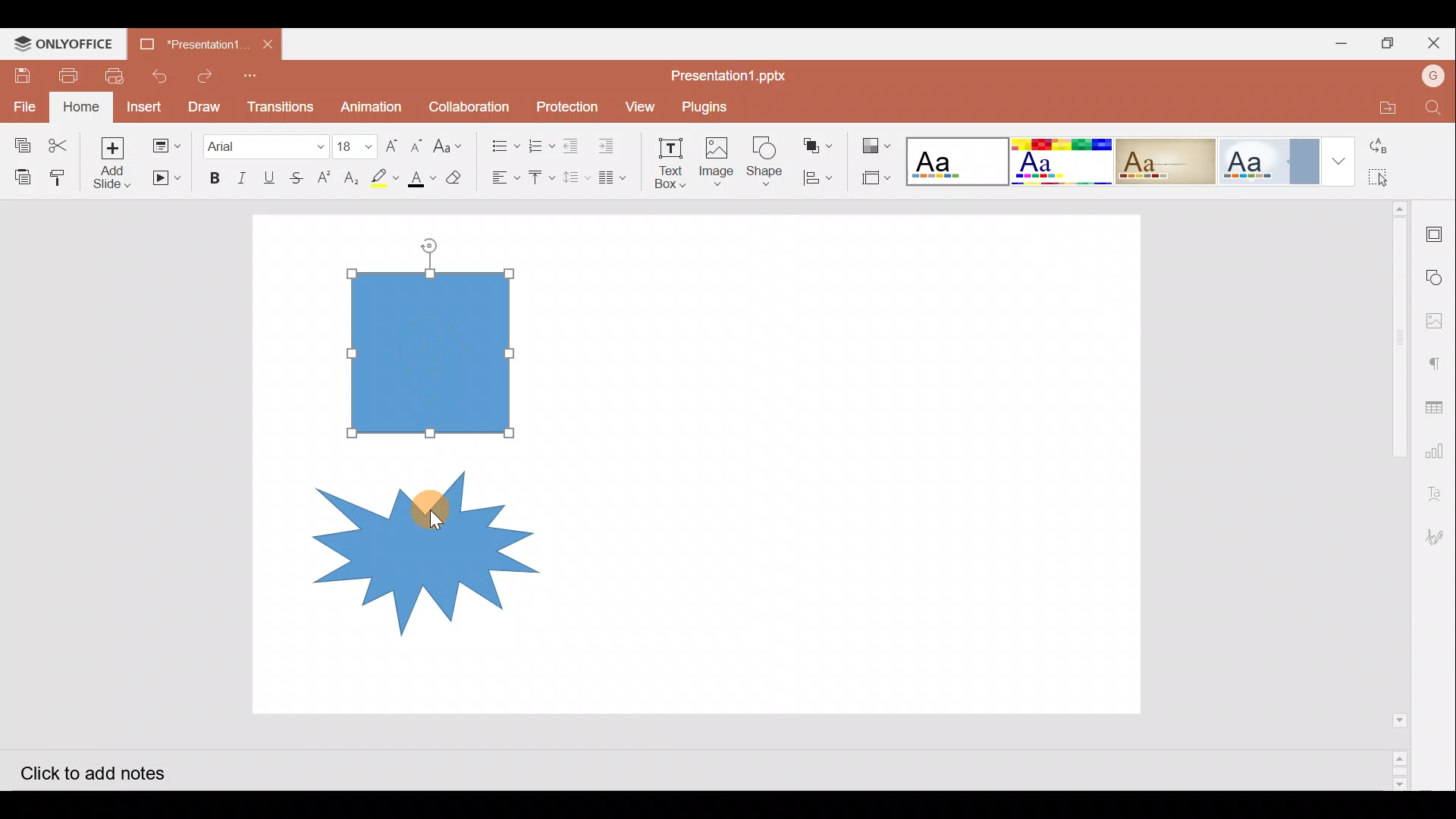 This screenshot has height=819, width=1456. I want to click on Strikethrough, so click(300, 175).